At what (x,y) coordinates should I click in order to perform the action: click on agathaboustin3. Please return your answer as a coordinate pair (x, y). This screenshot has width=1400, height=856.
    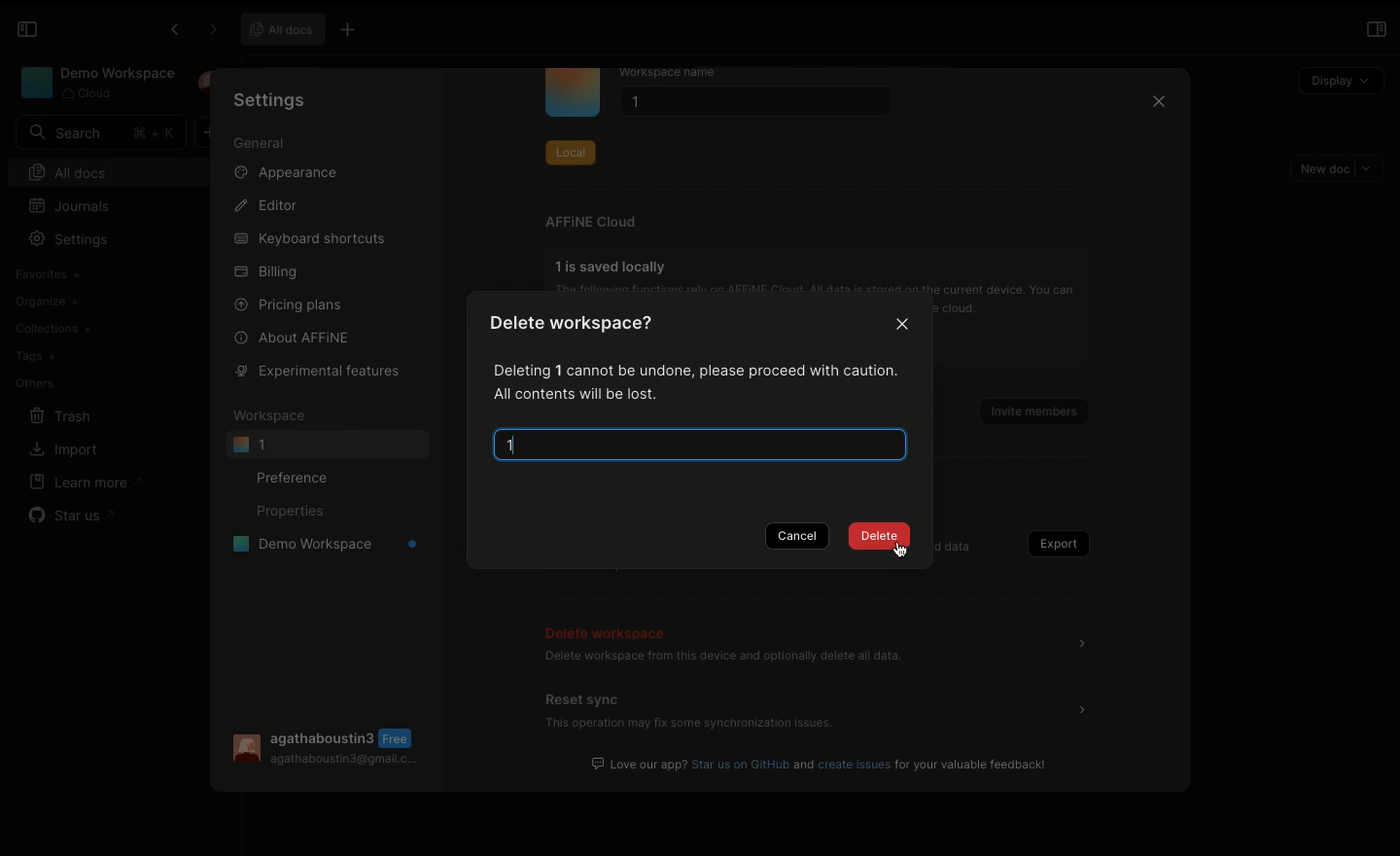
    Looking at the image, I should click on (324, 736).